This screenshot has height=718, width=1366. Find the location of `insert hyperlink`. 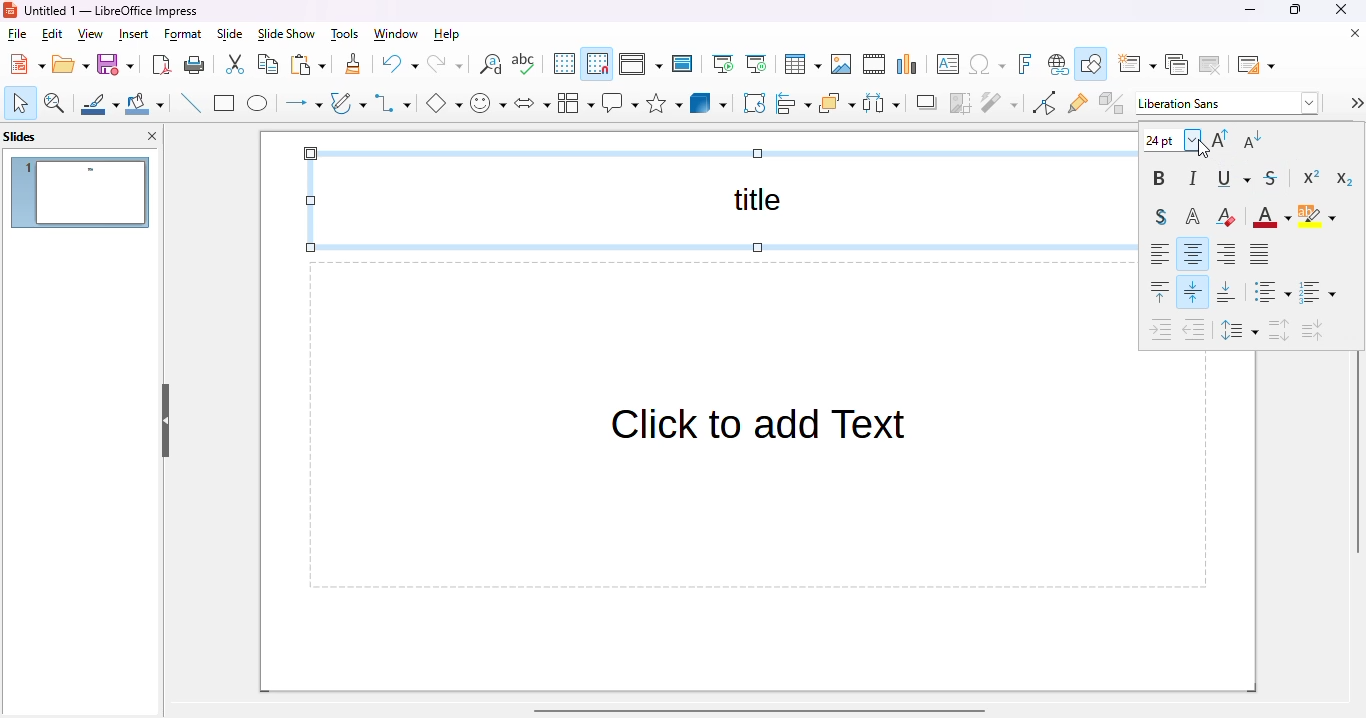

insert hyperlink is located at coordinates (1058, 64).